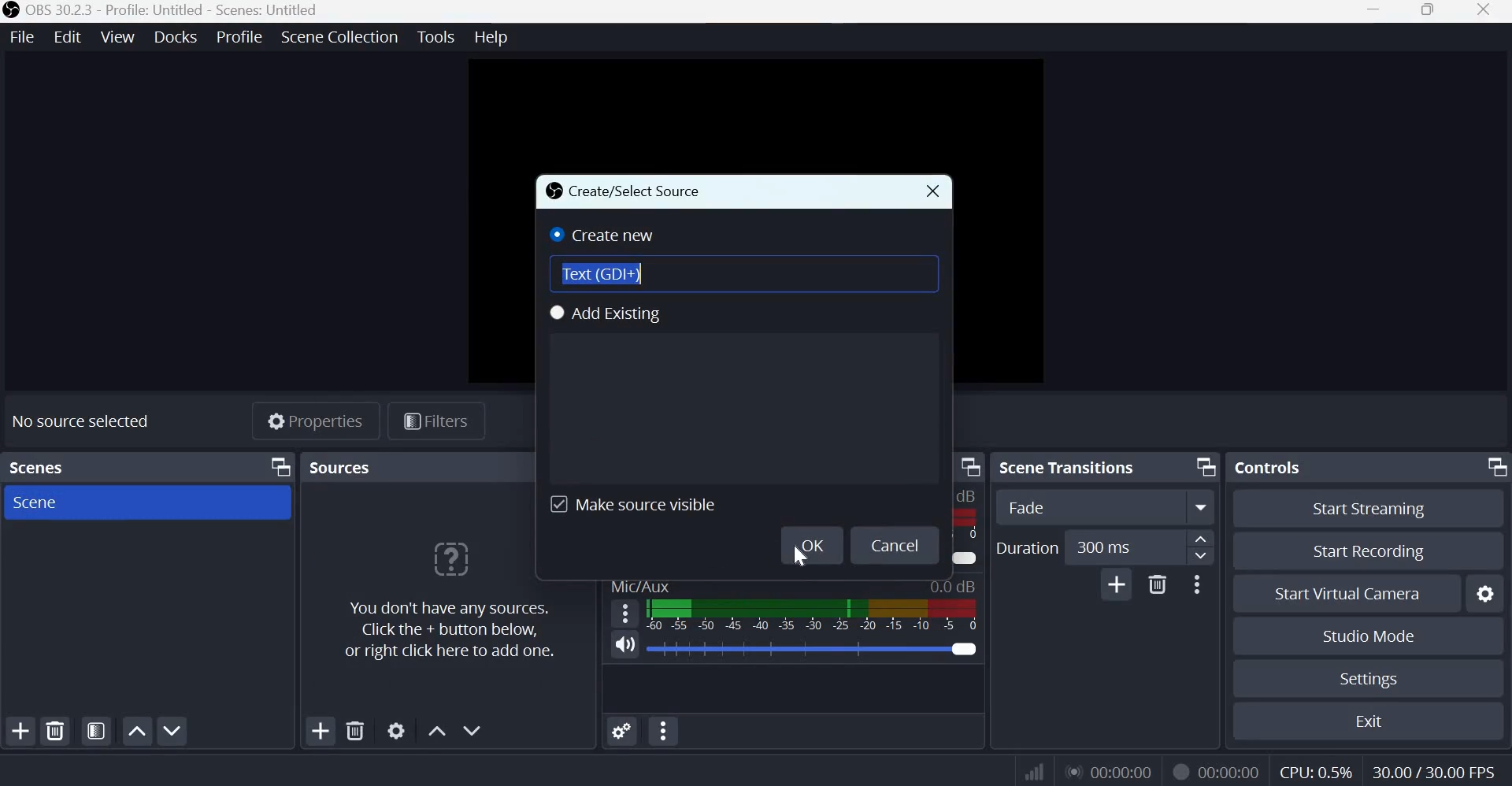 The height and width of the screenshot is (786, 1512). I want to click on Make source visible, so click(636, 505).